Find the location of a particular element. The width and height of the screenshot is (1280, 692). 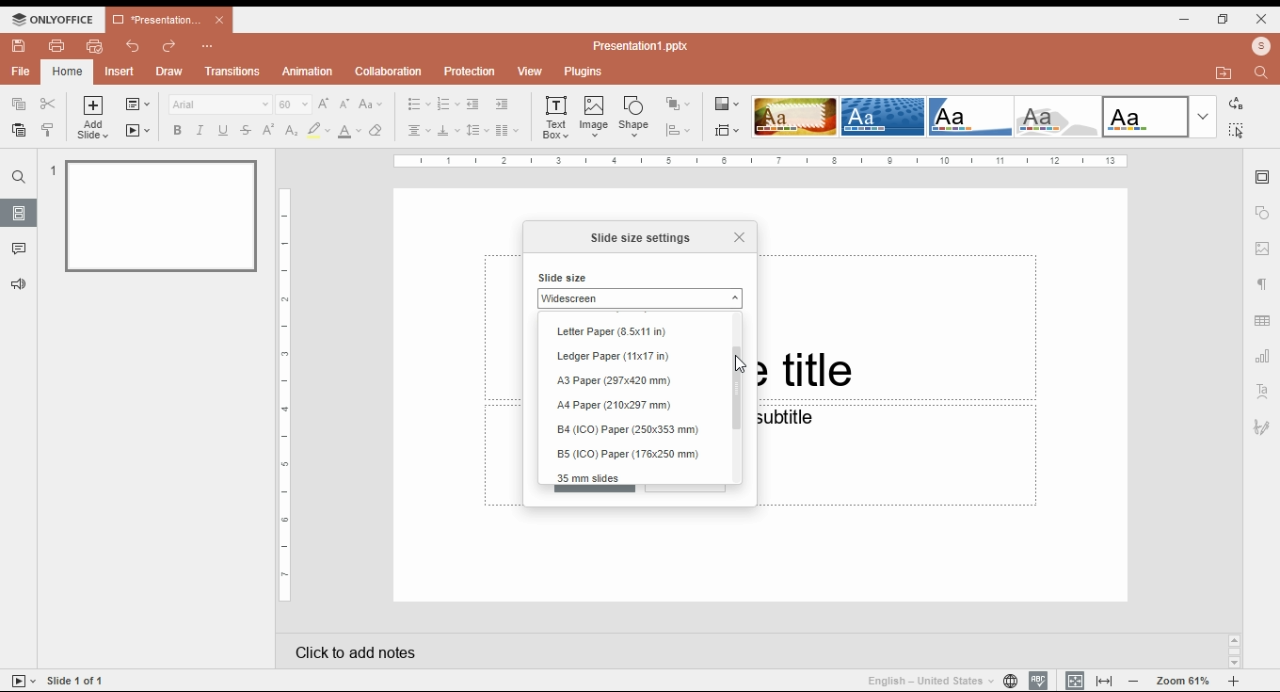

minimize is located at coordinates (1185, 18).